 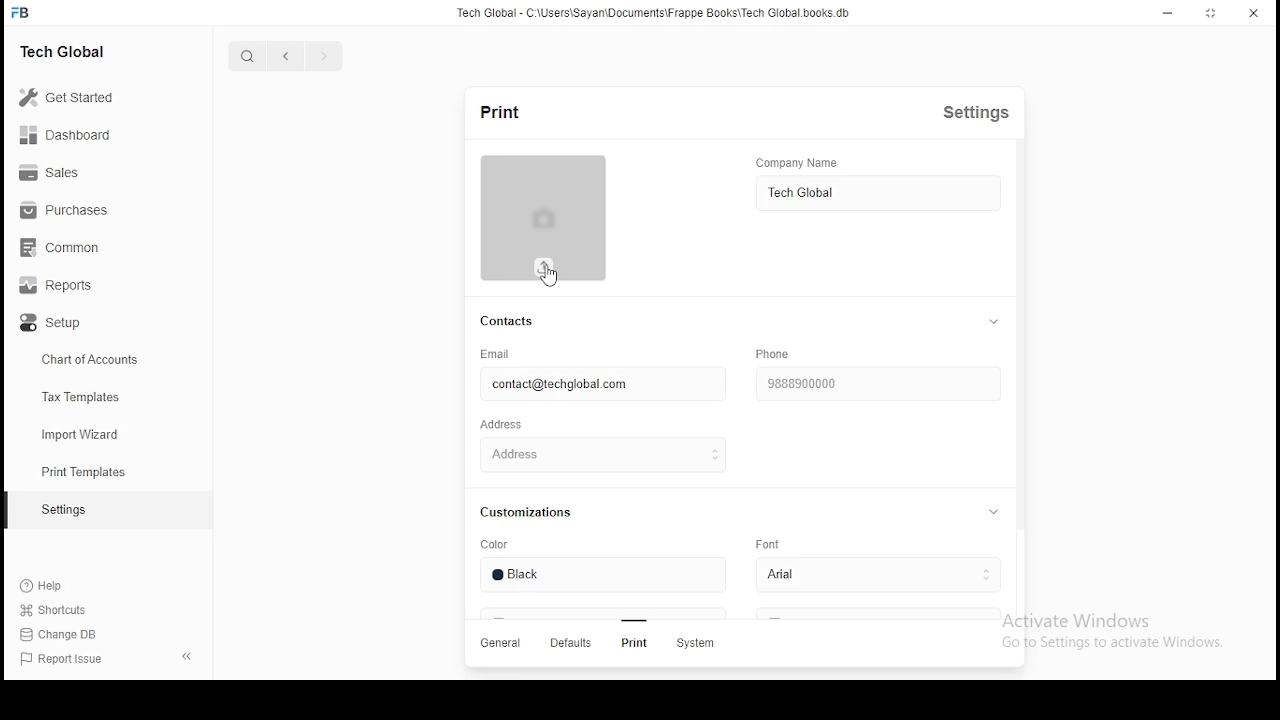 I want to click on Settings , so click(x=63, y=512).